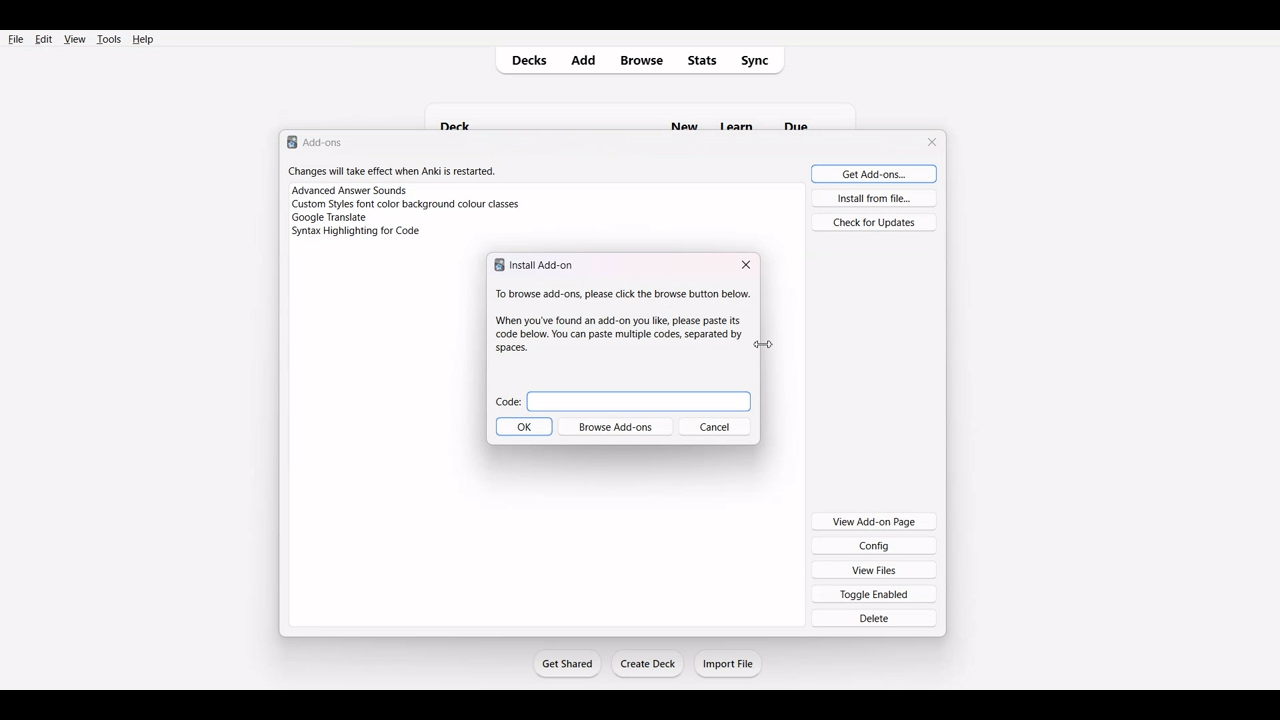 Image resolution: width=1280 pixels, height=720 pixels. Describe the element at coordinates (874, 221) in the screenshot. I see `Check for Updates` at that location.